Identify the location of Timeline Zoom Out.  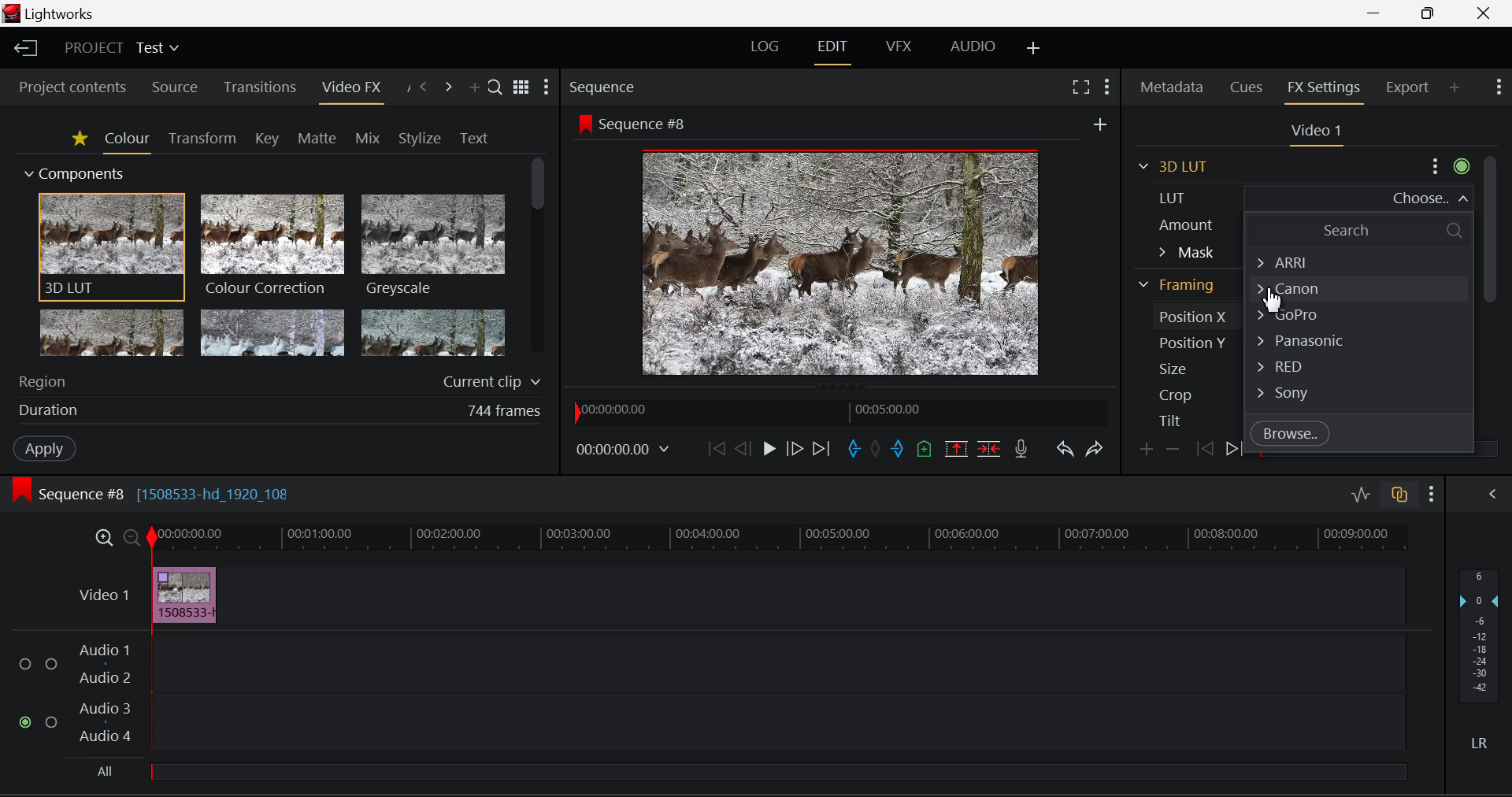
(131, 537).